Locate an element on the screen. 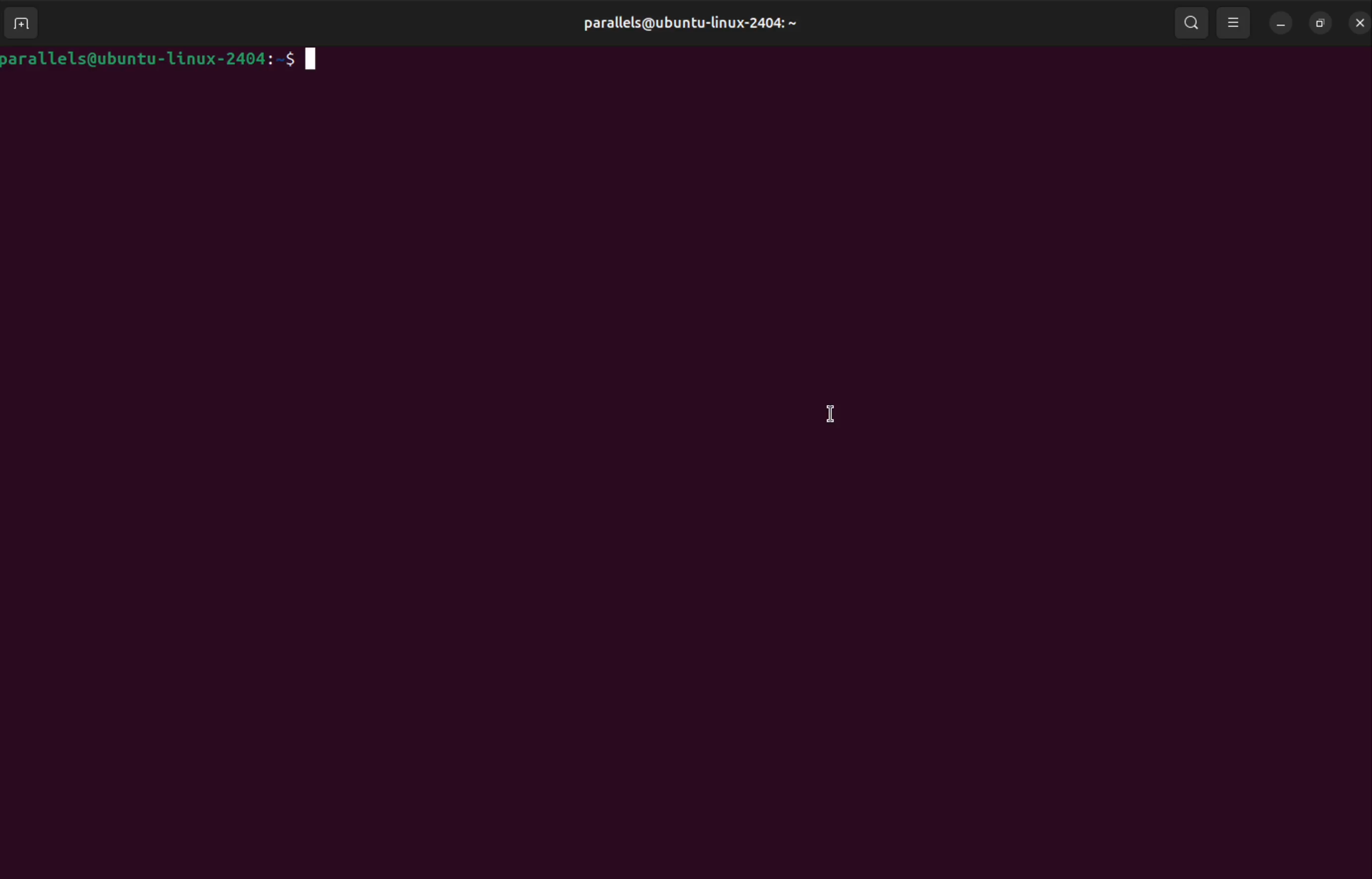  search is located at coordinates (1192, 21).